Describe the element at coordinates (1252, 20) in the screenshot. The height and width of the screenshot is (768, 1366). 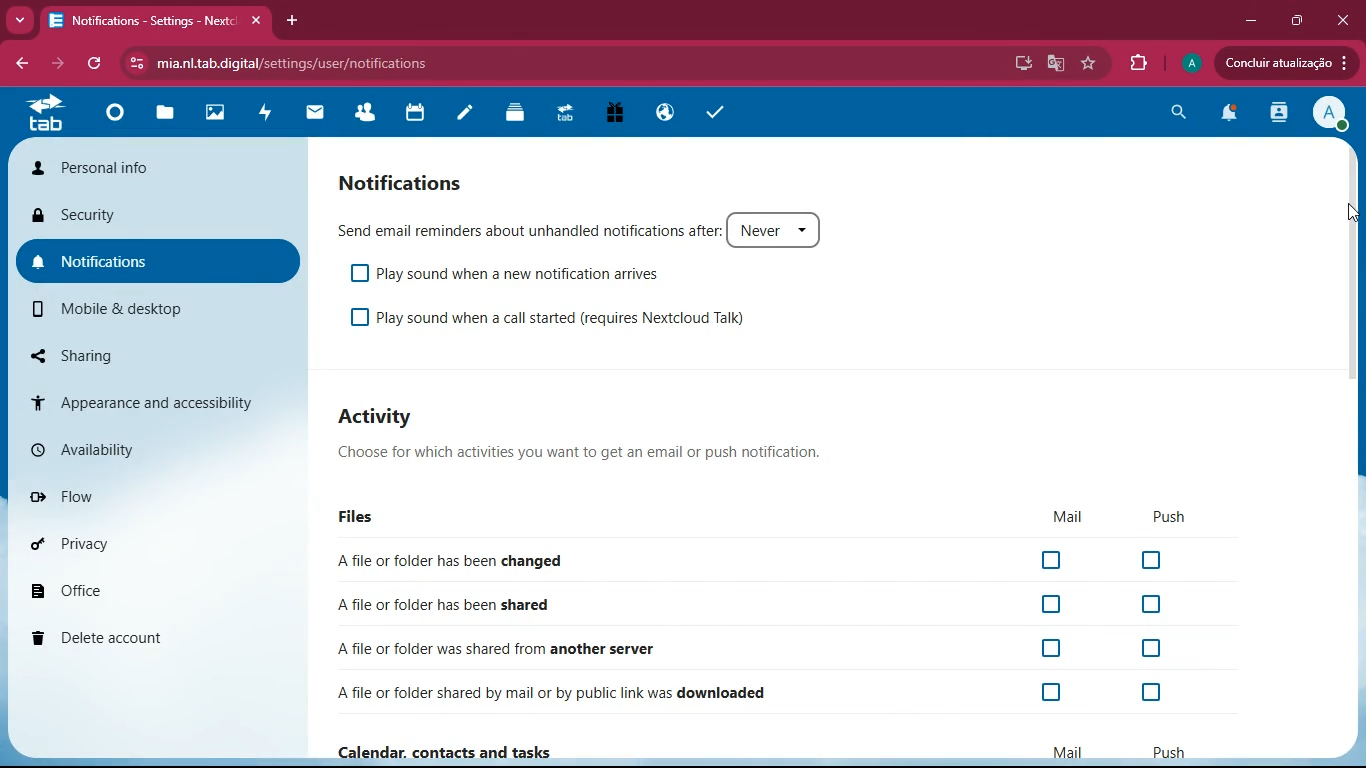
I see `minimize` at that location.